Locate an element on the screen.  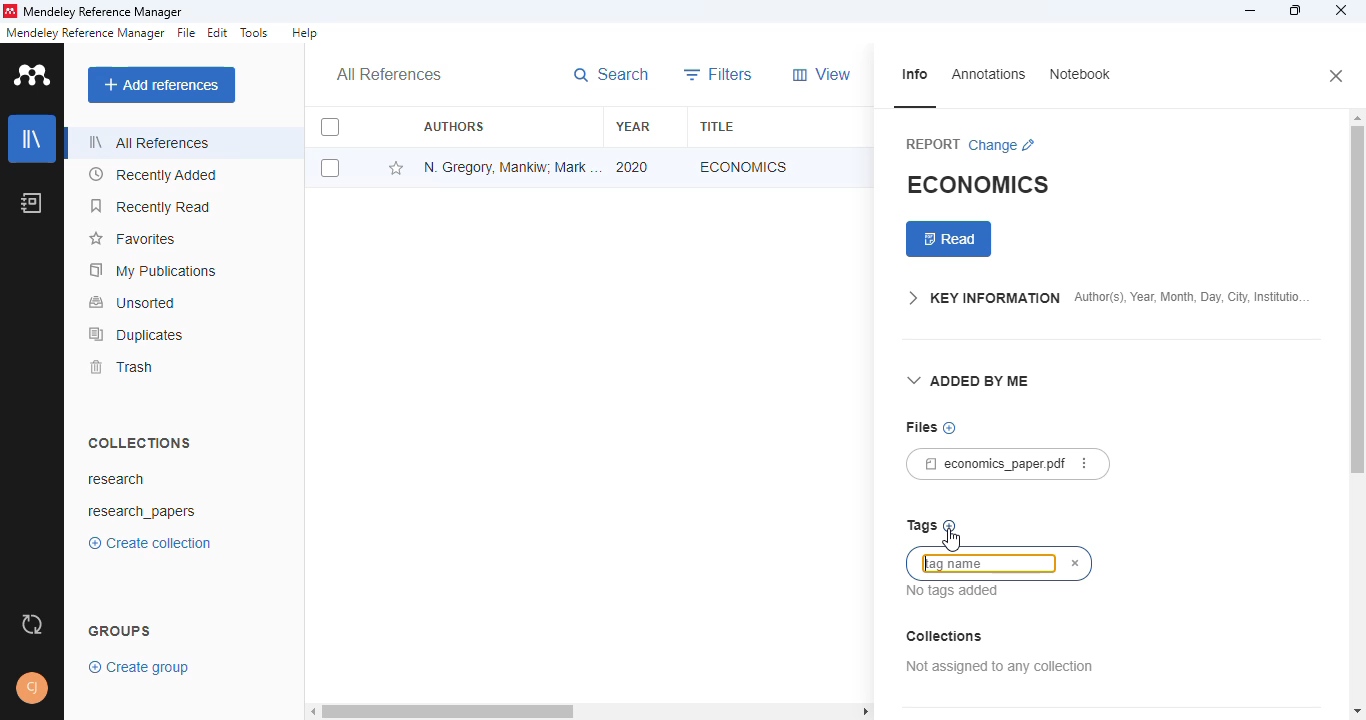
add this reference to favorites is located at coordinates (396, 168).